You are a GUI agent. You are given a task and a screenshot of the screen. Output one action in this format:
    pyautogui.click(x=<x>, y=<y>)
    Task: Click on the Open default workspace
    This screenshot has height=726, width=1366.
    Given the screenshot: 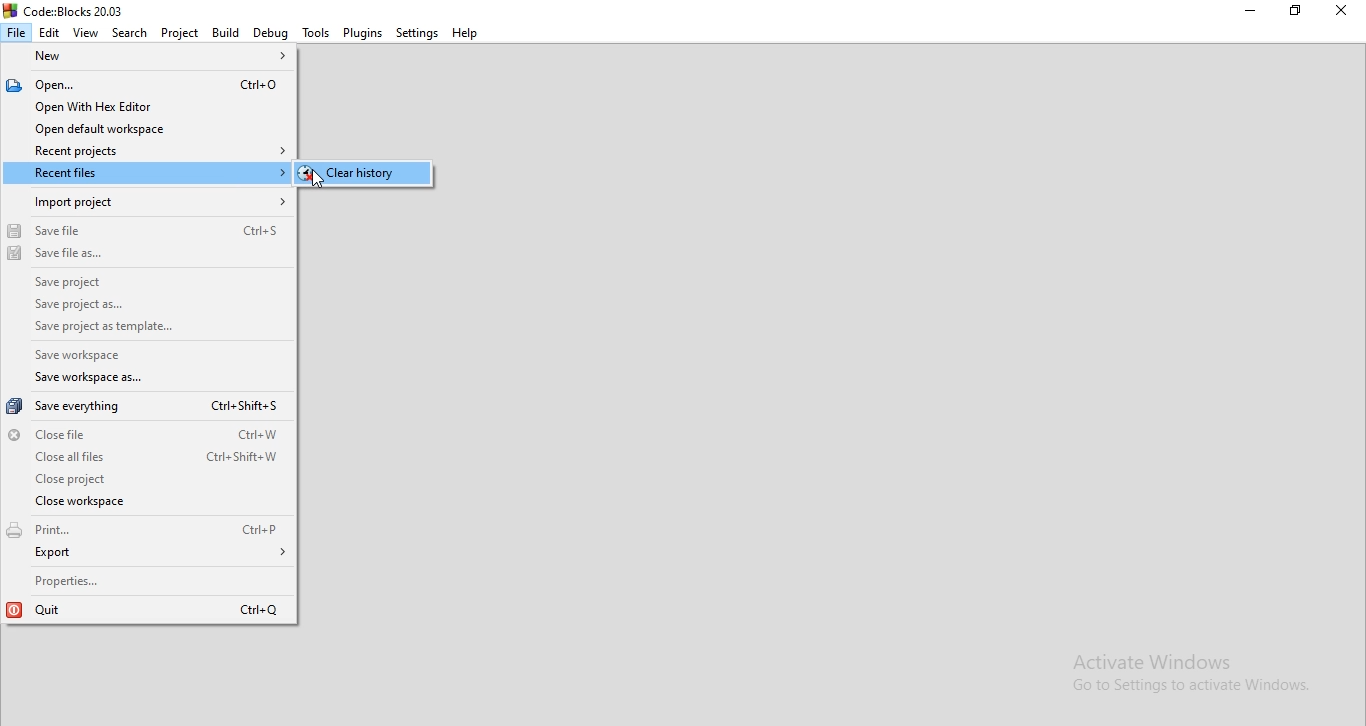 What is the action you would take?
    pyautogui.click(x=144, y=129)
    